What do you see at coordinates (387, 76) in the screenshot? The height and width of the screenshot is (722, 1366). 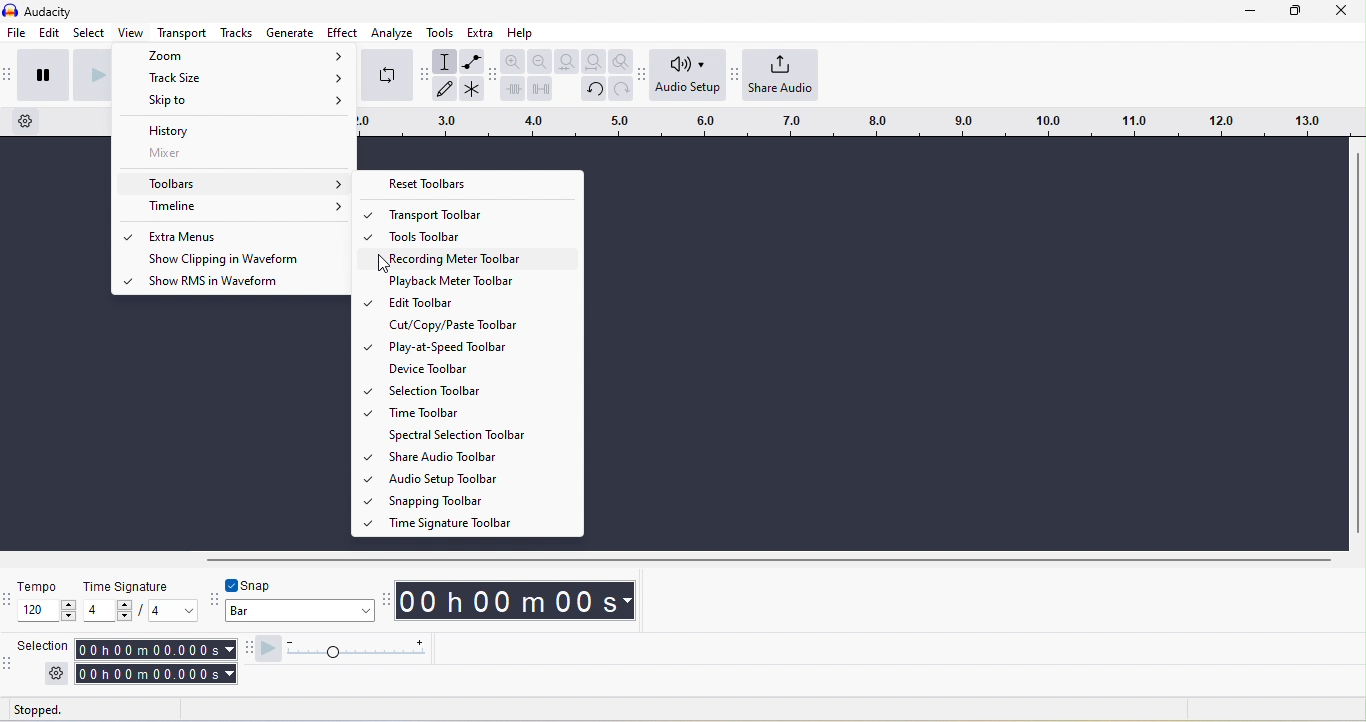 I see `enable loop` at bounding box center [387, 76].